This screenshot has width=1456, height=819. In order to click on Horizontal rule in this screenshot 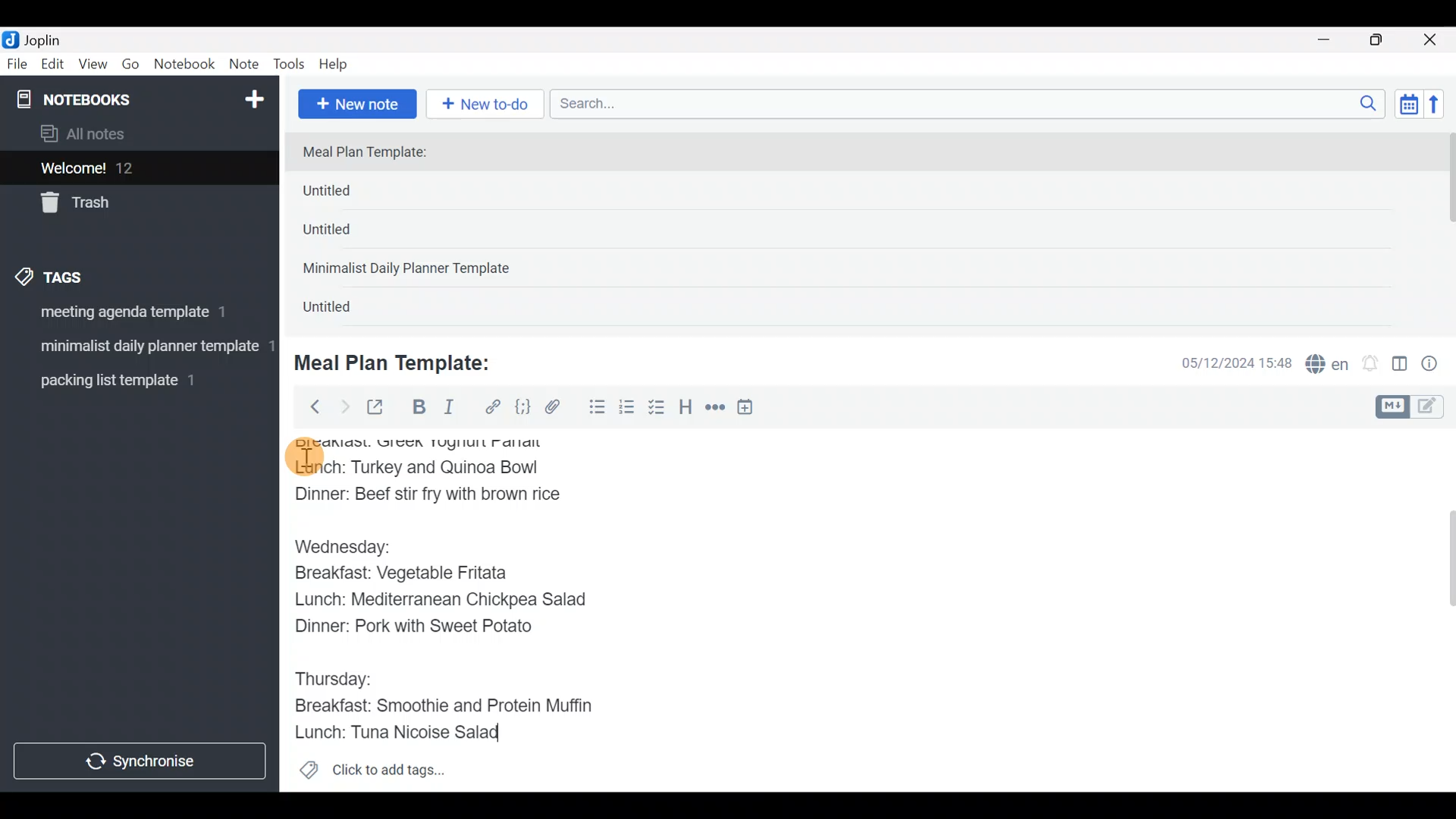, I will do `click(715, 409)`.